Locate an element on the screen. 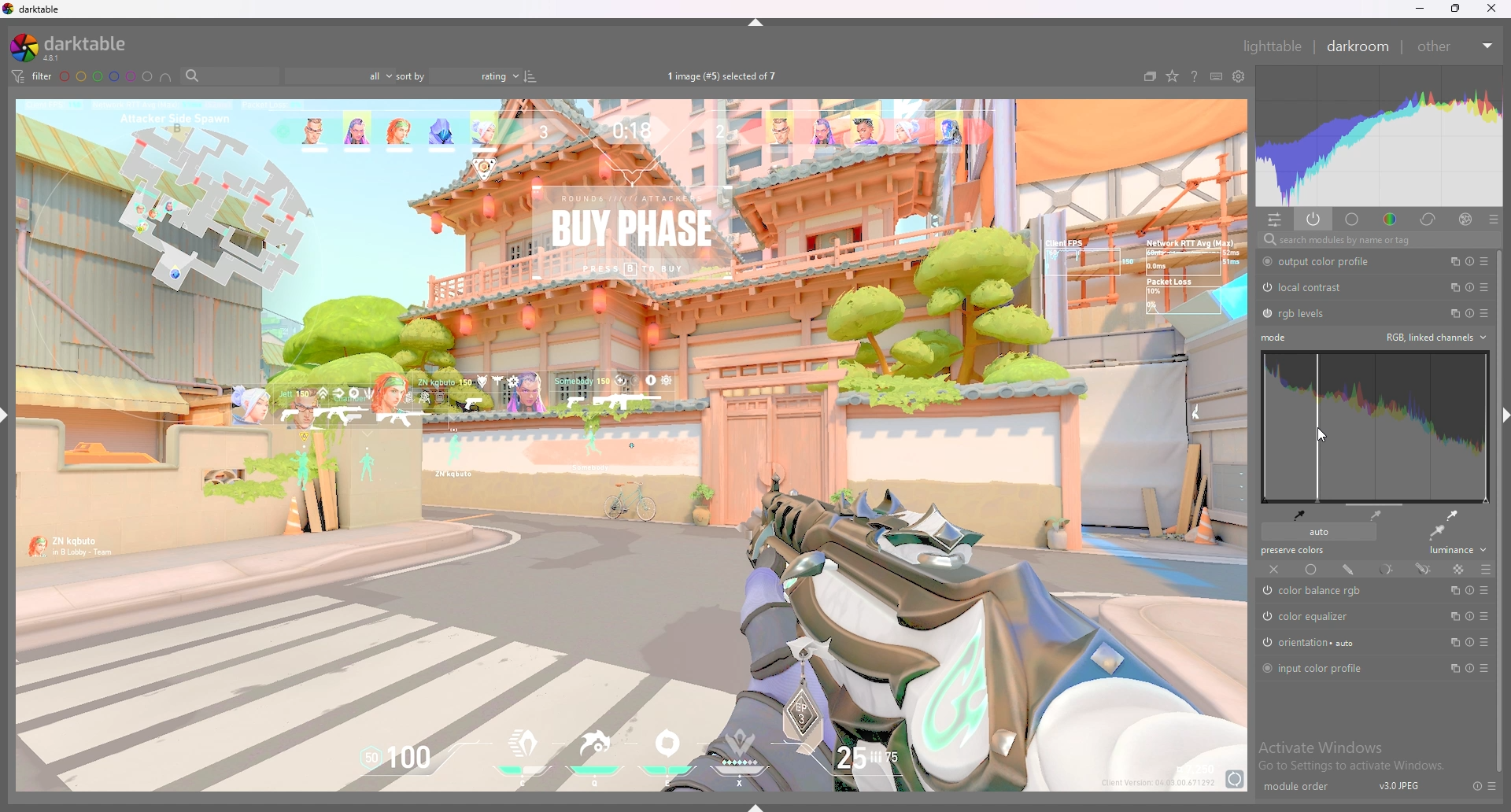 This screenshot has width=1511, height=812. hide is located at coordinates (1502, 411).